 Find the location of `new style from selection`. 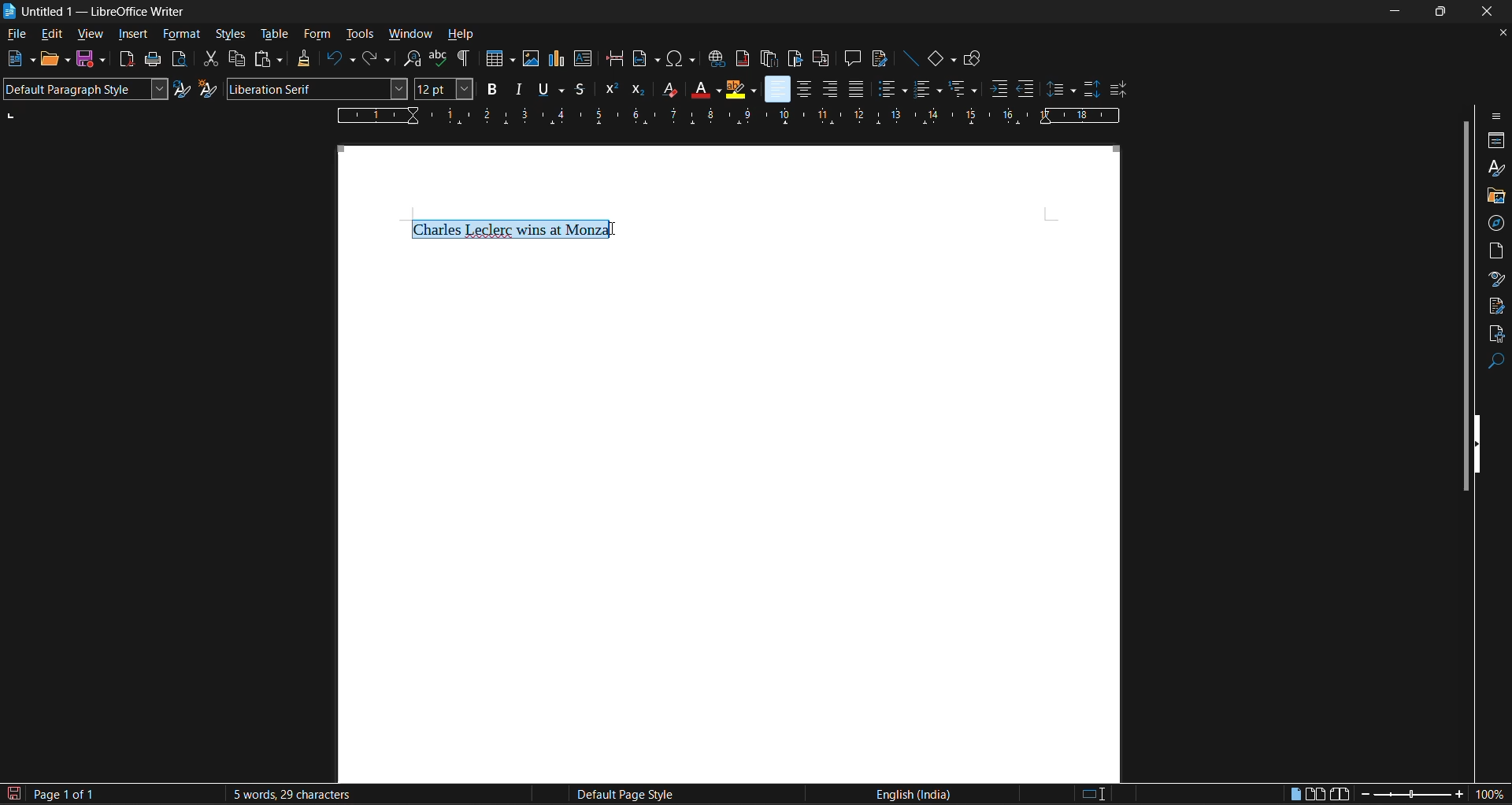

new style from selection is located at coordinates (207, 90).